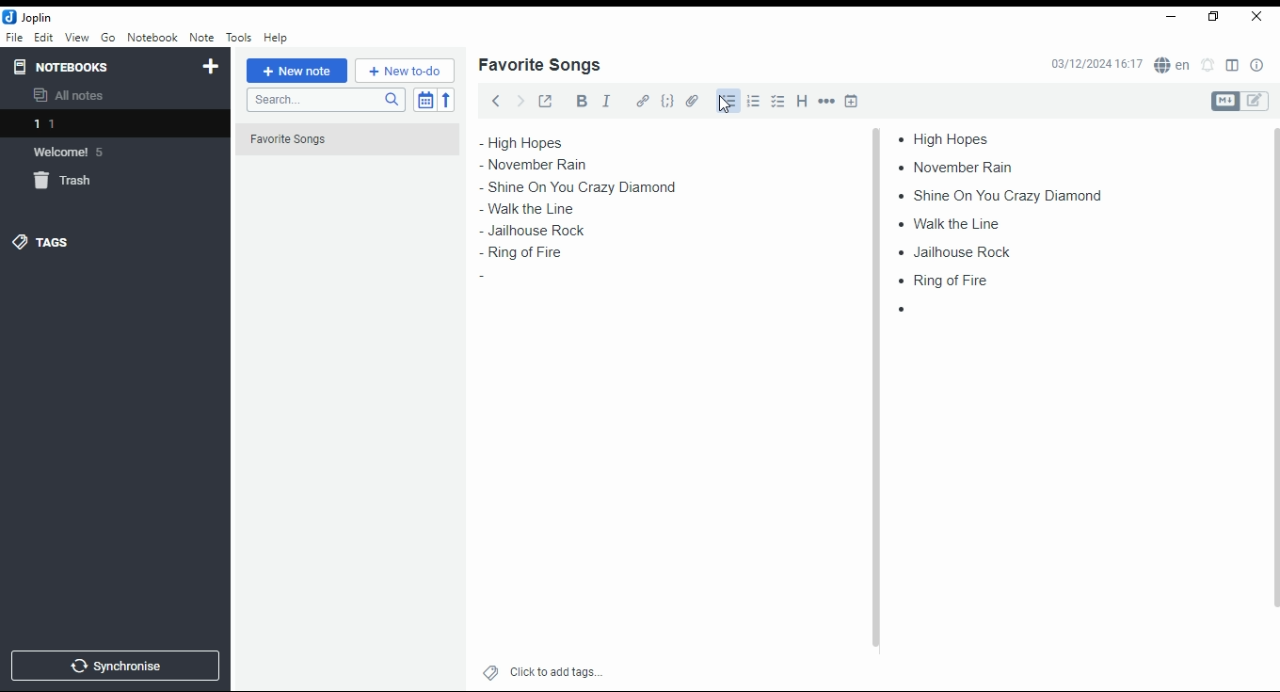 Image resolution: width=1280 pixels, height=692 pixels. Describe the element at coordinates (531, 231) in the screenshot. I see `jailhouse rock` at that location.